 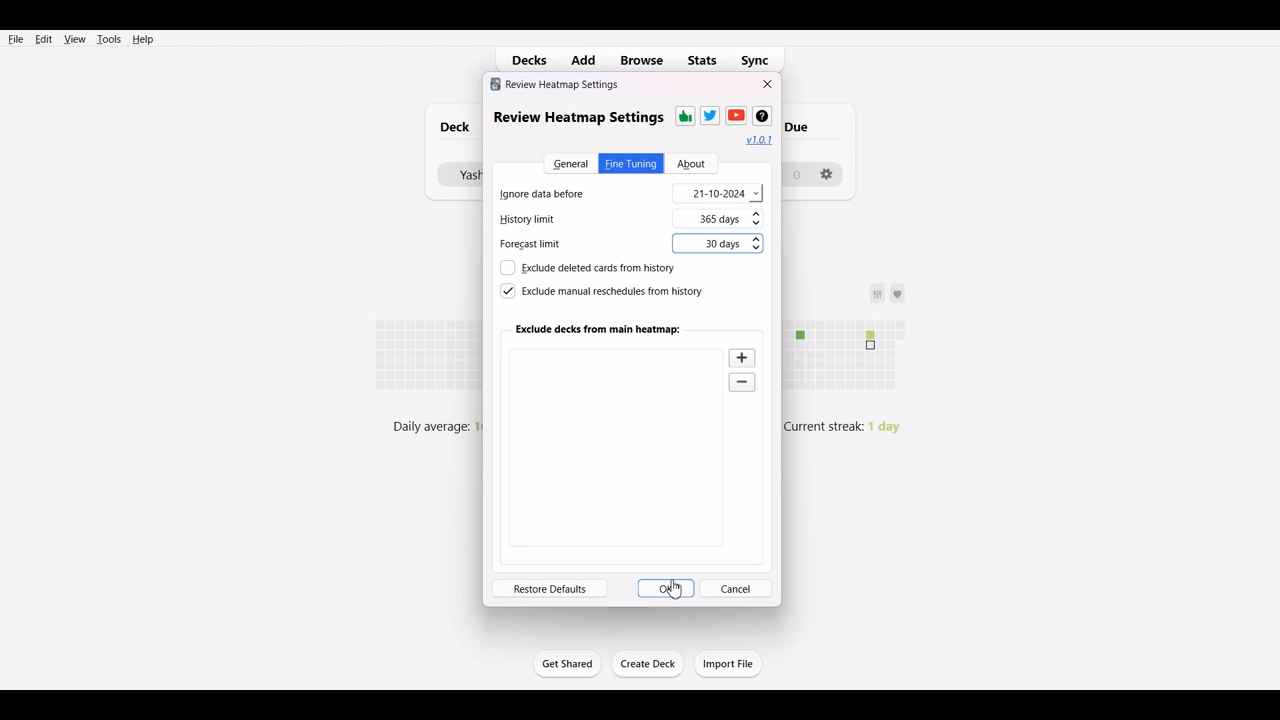 I want to click on Wikipedia, so click(x=761, y=116).